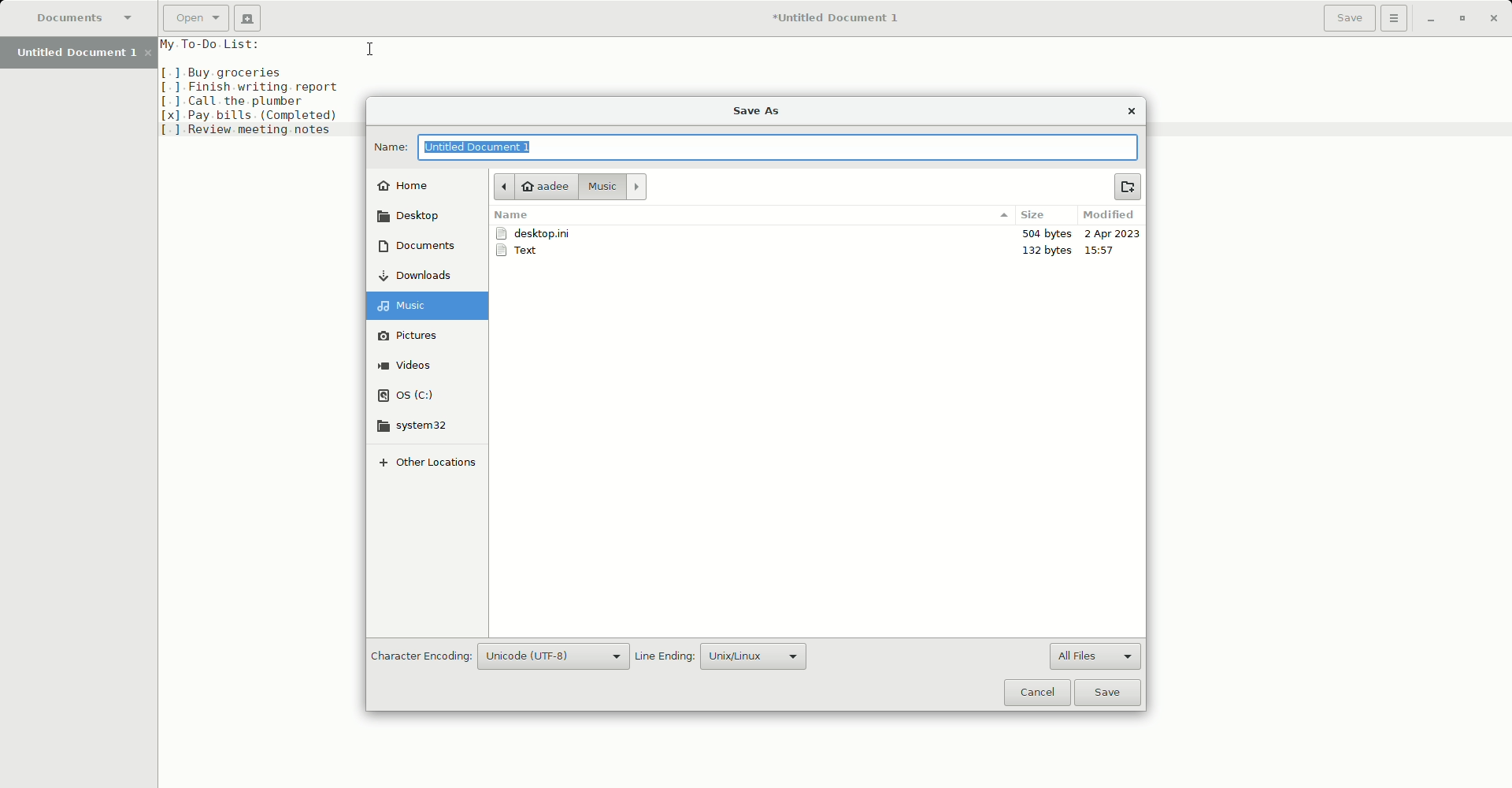 This screenshot has height=788, width=1512. Describe the element at coordinates (260, 87) in the screenshot. I see `To-Do.-List:[1 Buy groceries[1 Finish writing. report[1 Call the plumber[x] Pay bills. (Completed)[1 Review meeting notes|` at that location.